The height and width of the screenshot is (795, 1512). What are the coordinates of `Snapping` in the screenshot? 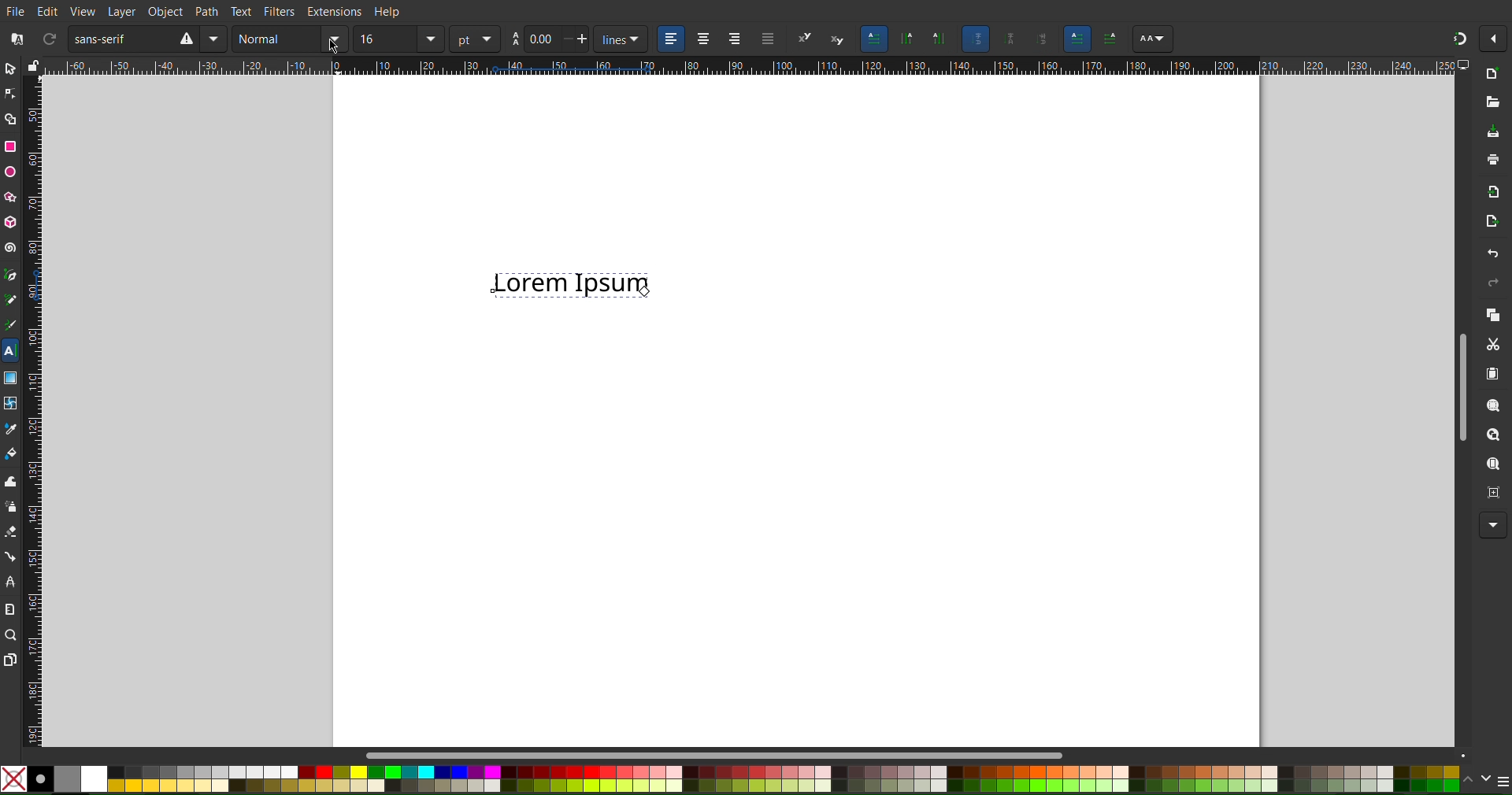 It's located at (1458, 39).